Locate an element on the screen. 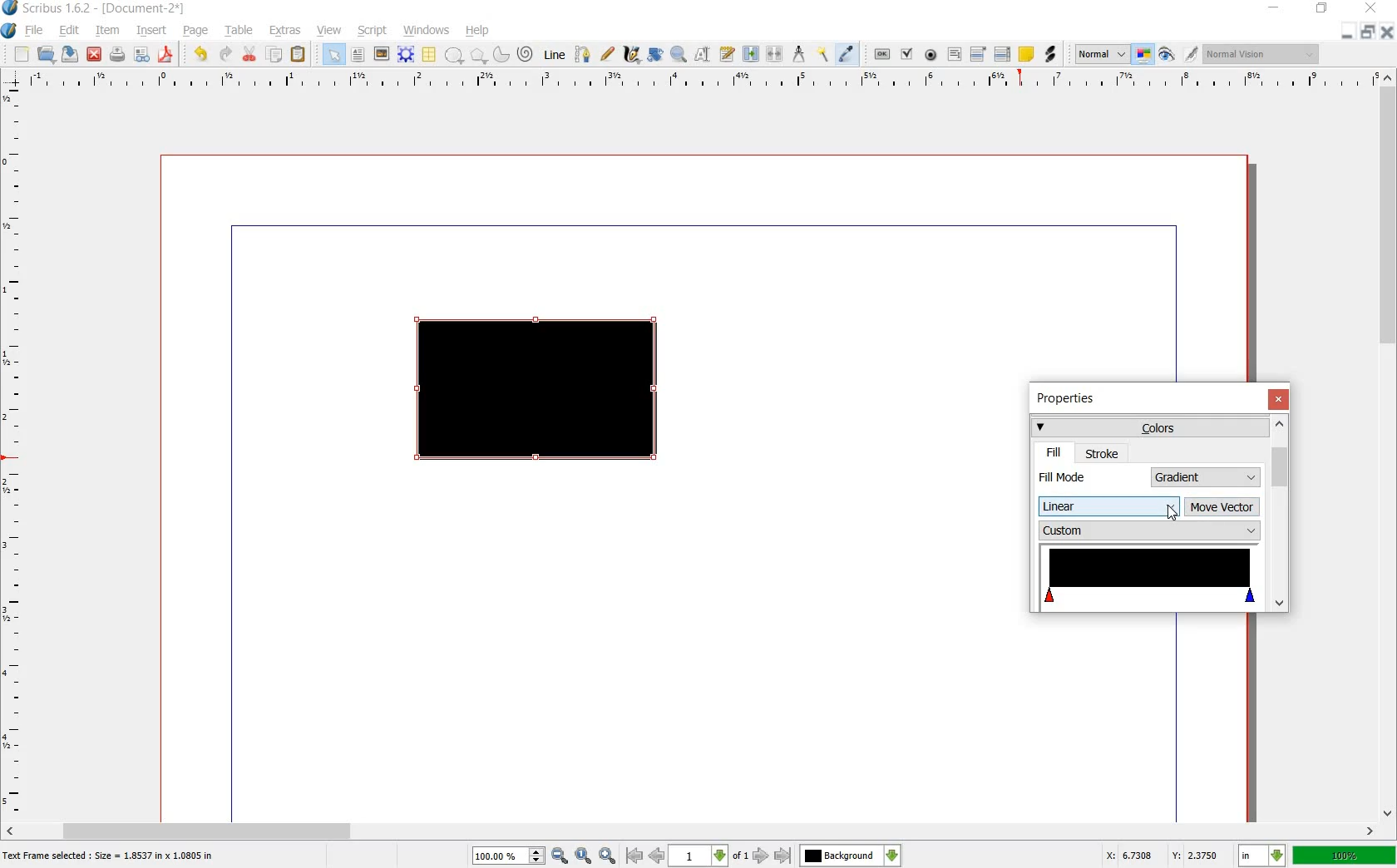 The width and height of the screenshot is (1397, 868). pdf text field is located at coordinates (954, 54).